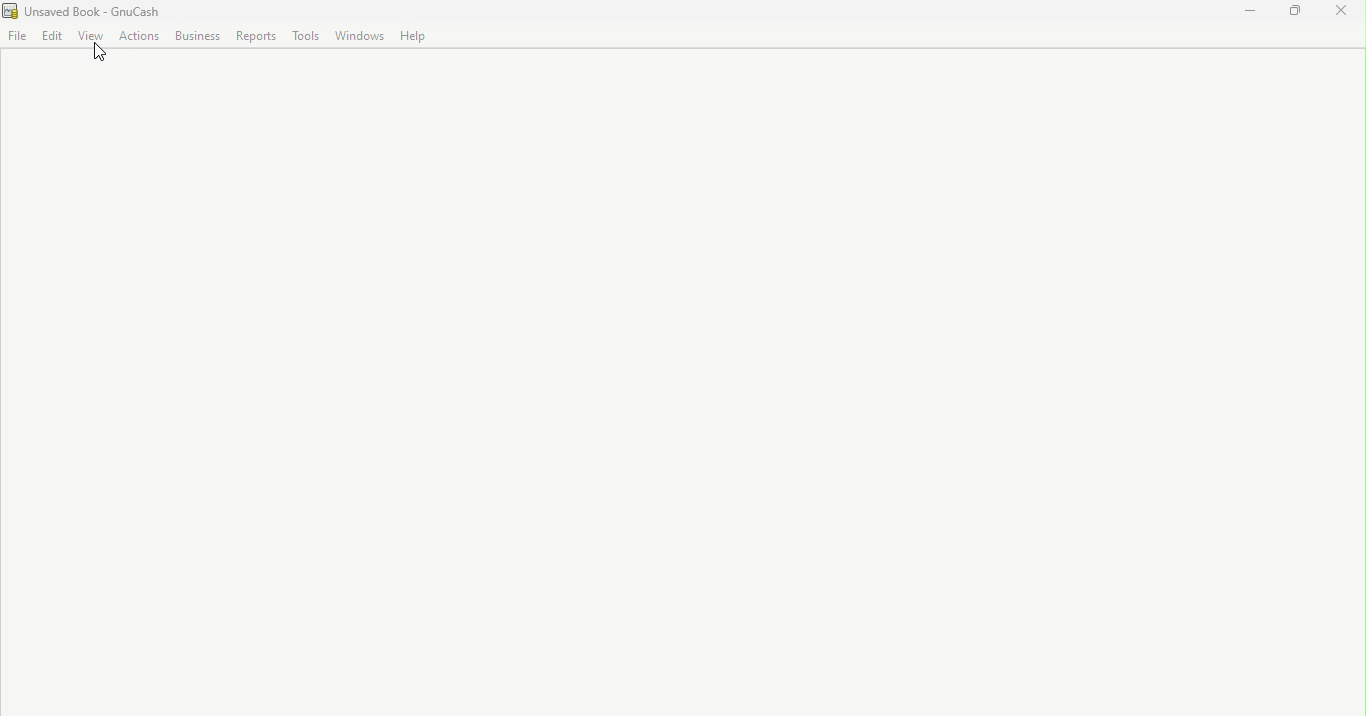 This screenshot has width=1366, height=716. Describe the element at coordinates (414, 36) in the screenshot. I see `Help` at that location.